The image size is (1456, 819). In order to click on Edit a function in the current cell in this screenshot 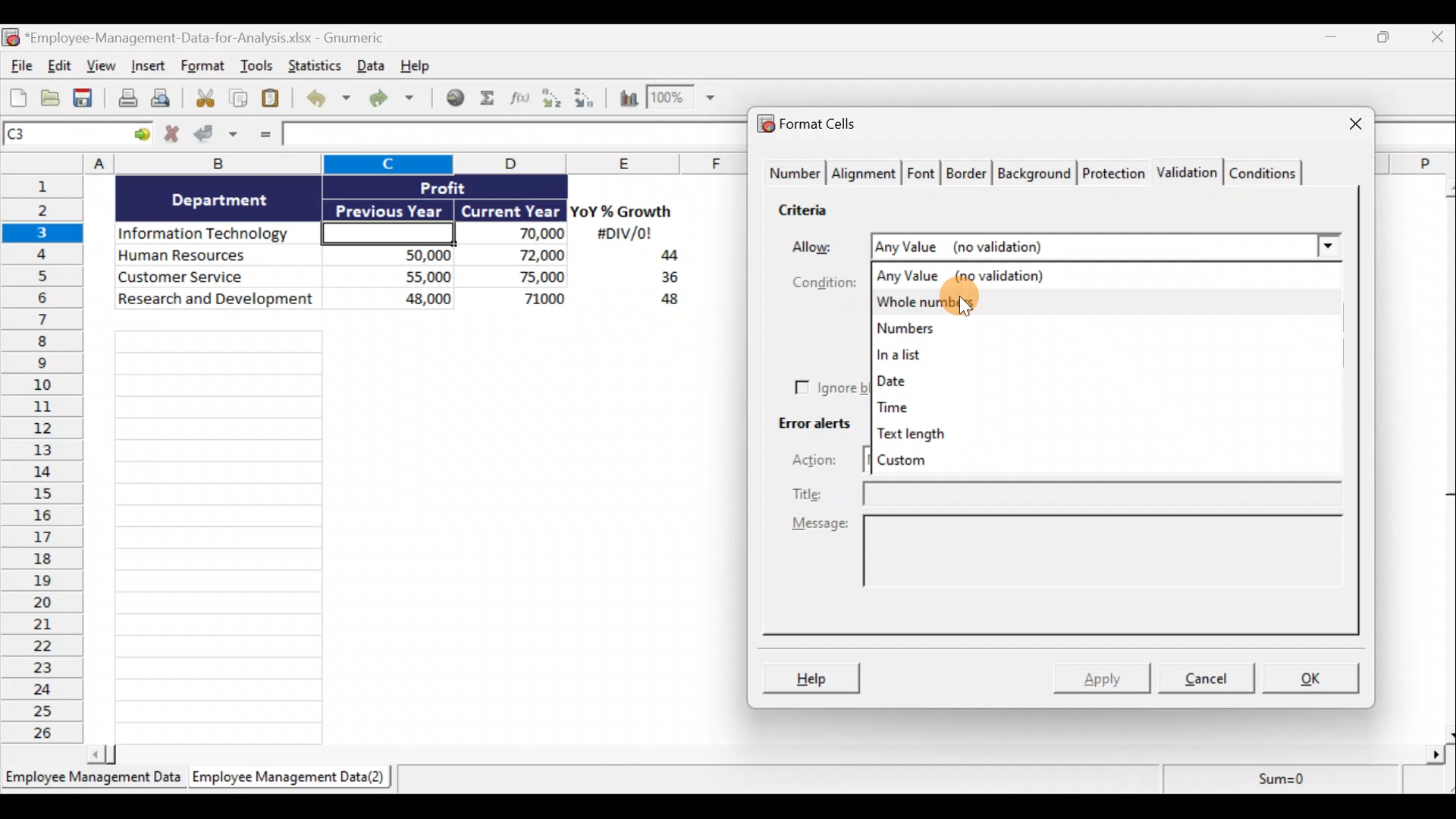, I will do `click(521, 97)`.